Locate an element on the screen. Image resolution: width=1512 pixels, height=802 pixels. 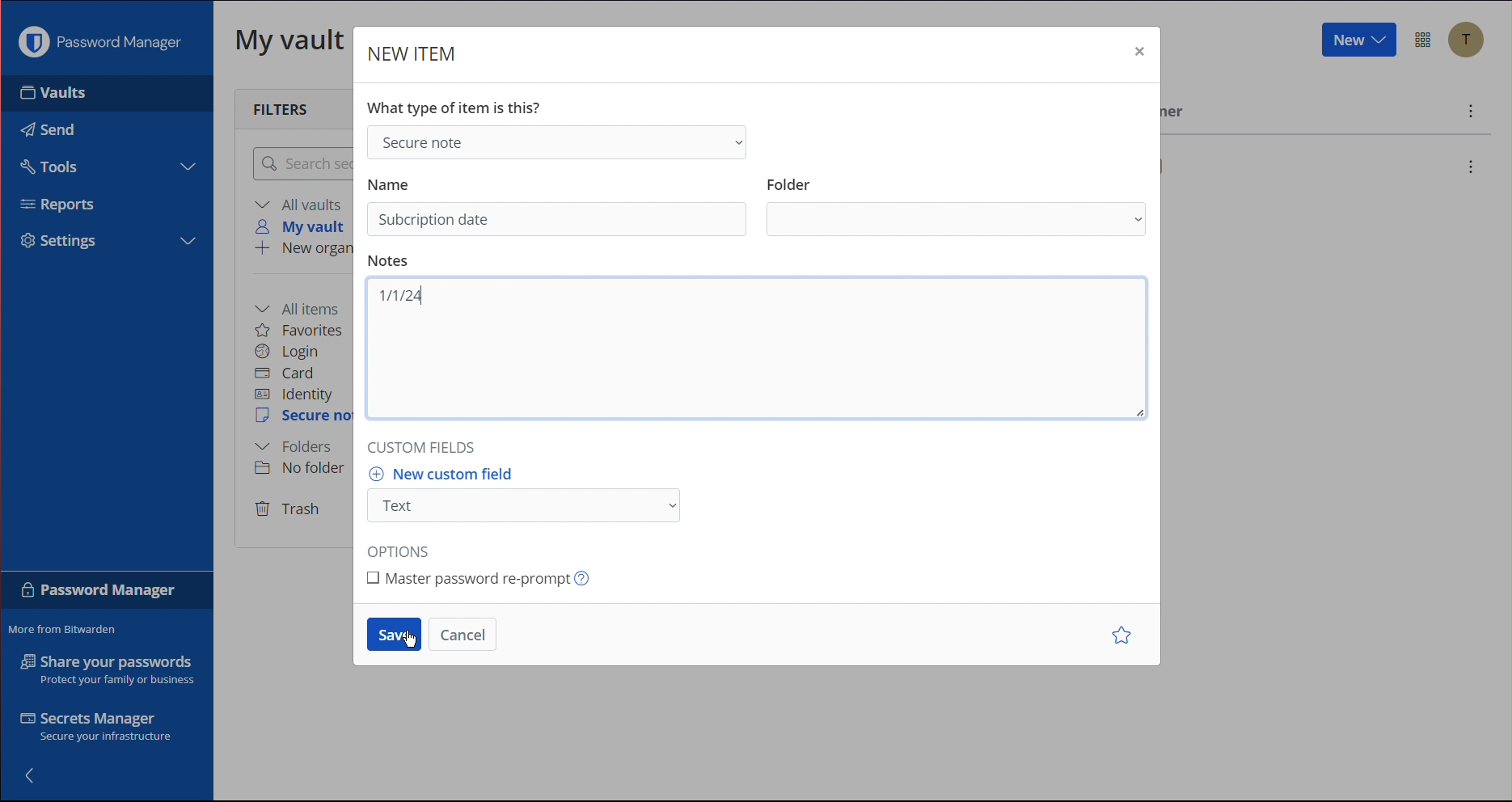
Secure Note is located at coordinates (304, 416).